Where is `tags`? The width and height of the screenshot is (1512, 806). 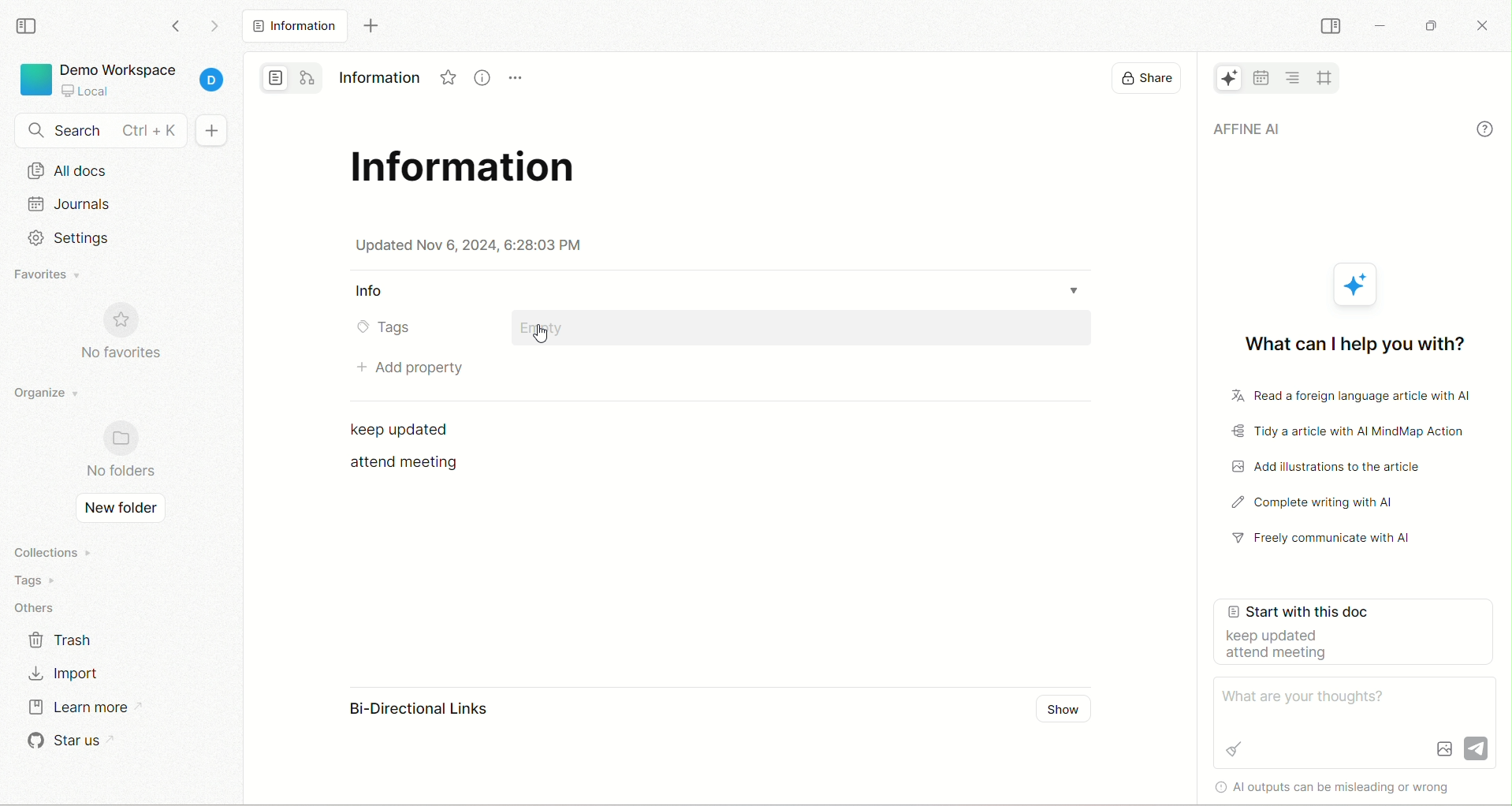
tags is located at coordinates (43, 578).